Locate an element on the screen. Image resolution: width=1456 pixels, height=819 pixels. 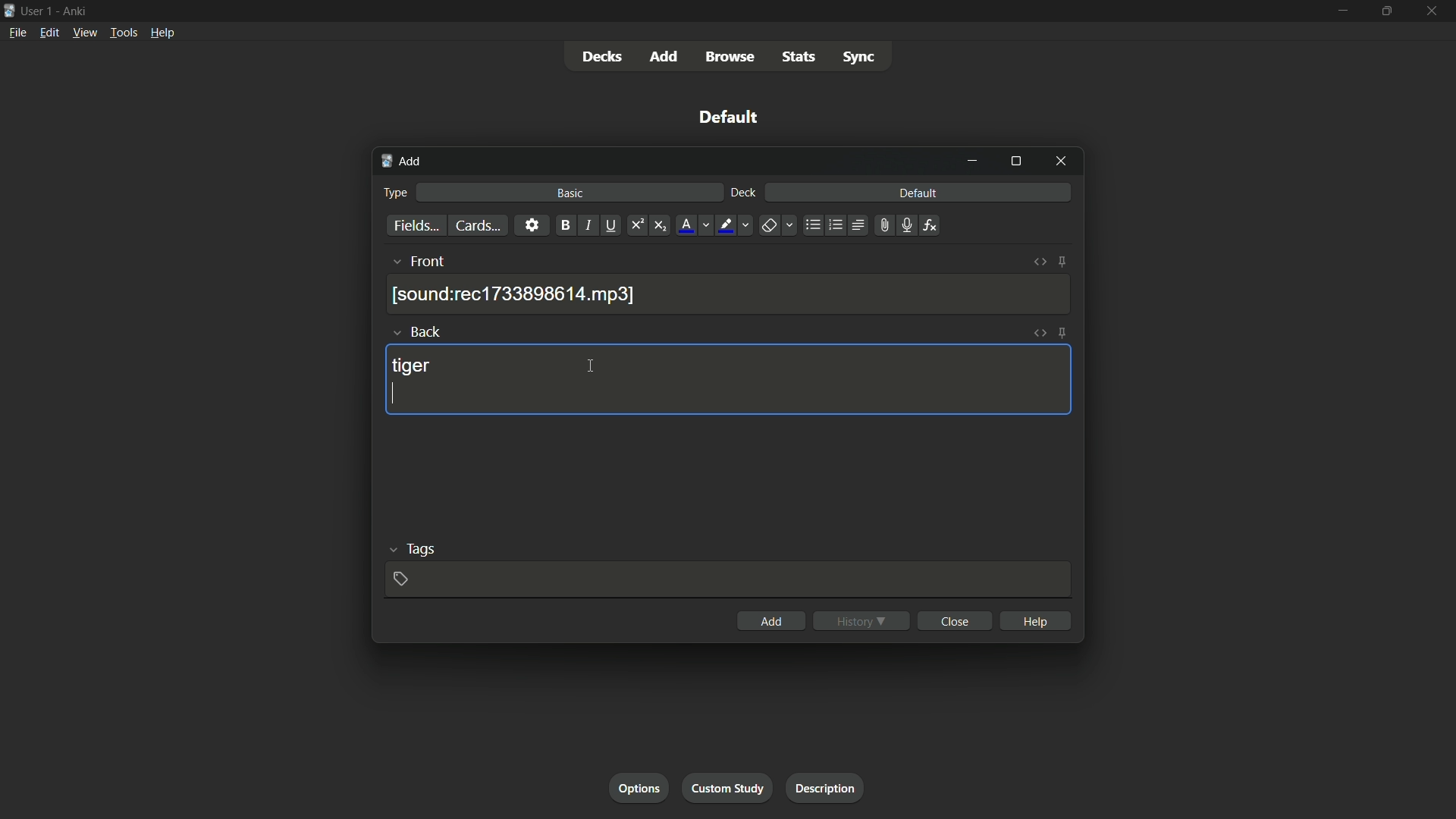
add is located at coordinates (770, 621).